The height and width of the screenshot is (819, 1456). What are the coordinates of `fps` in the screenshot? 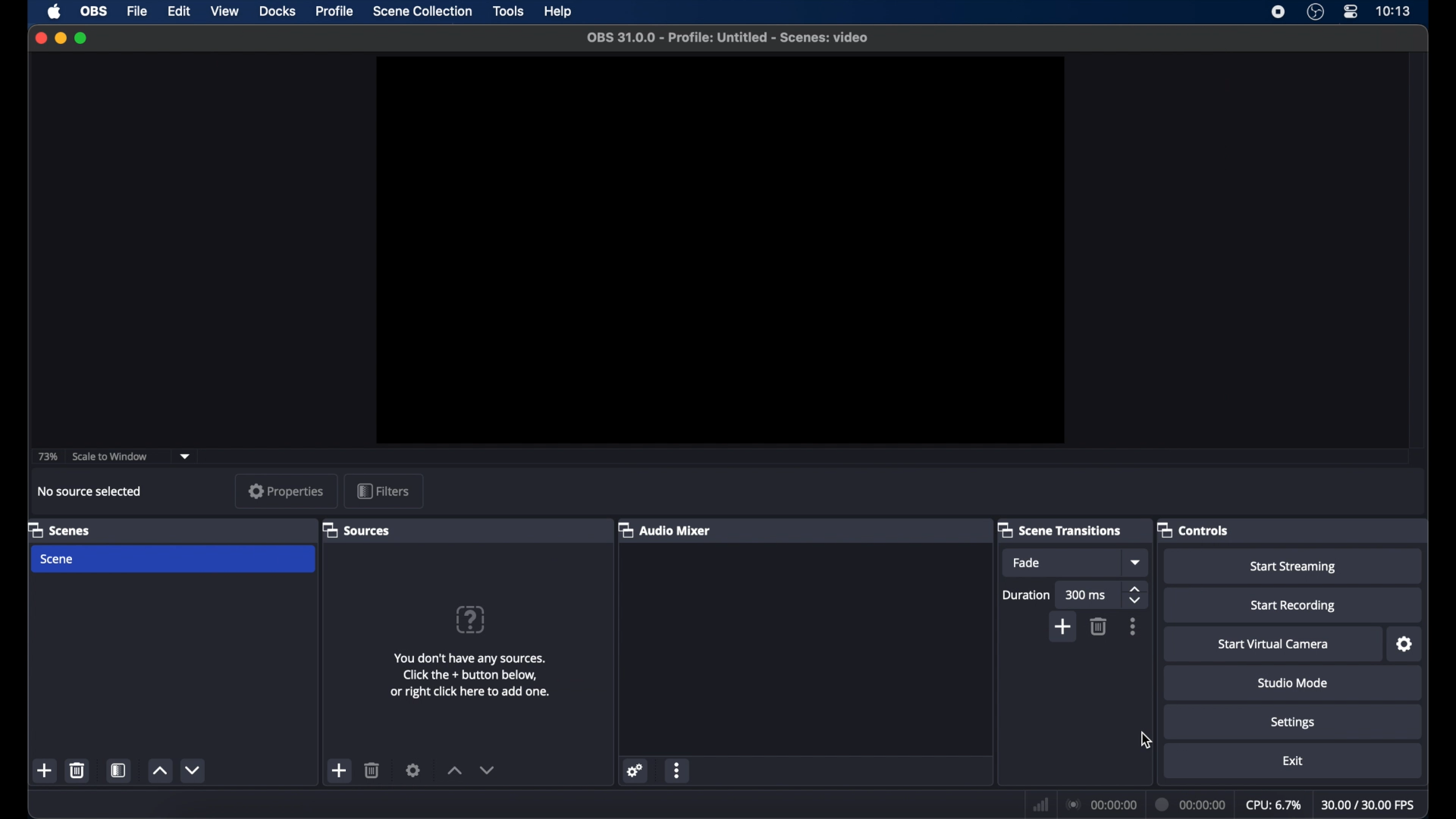 It's located at (1369, 805).